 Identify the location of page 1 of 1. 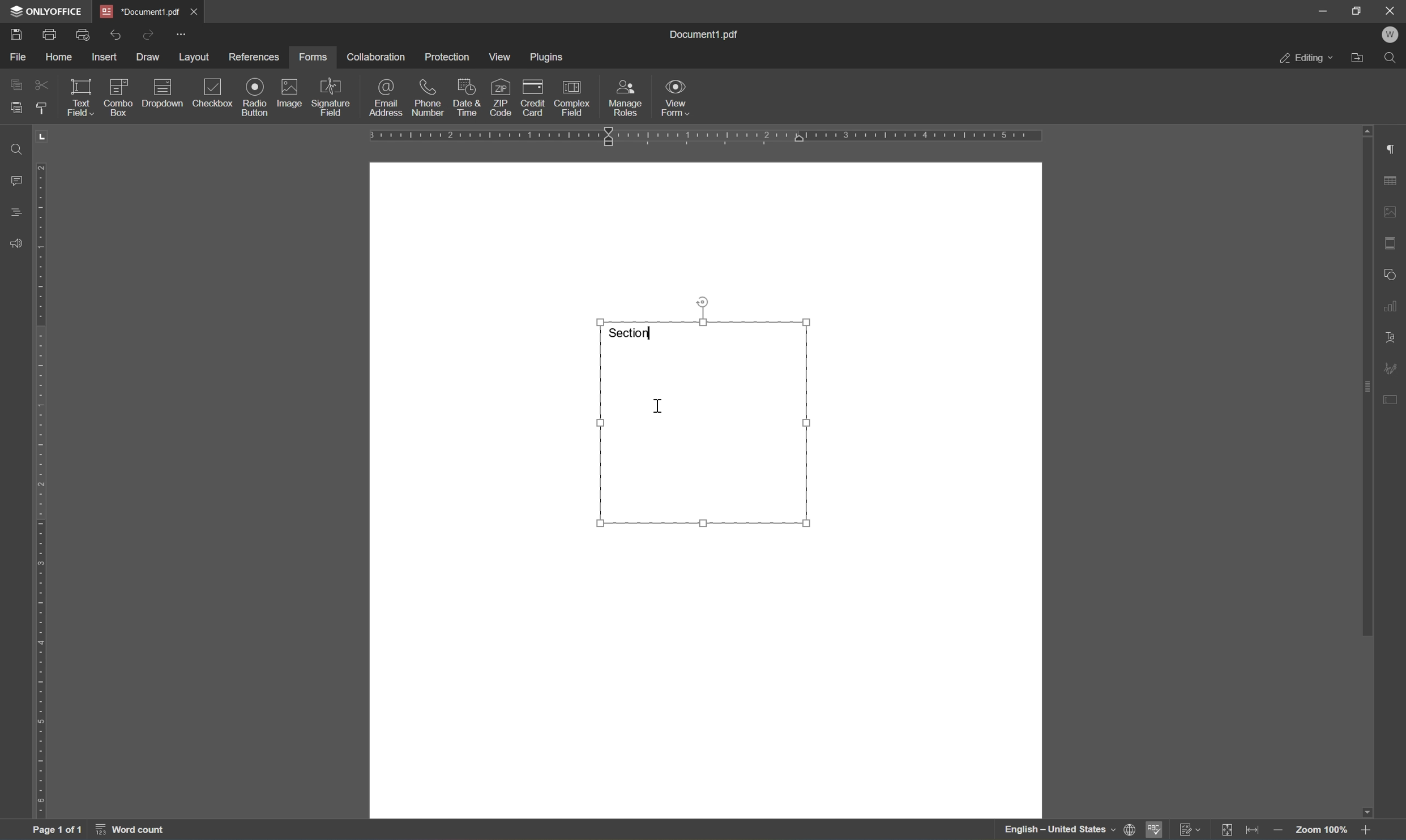
(57, 832).